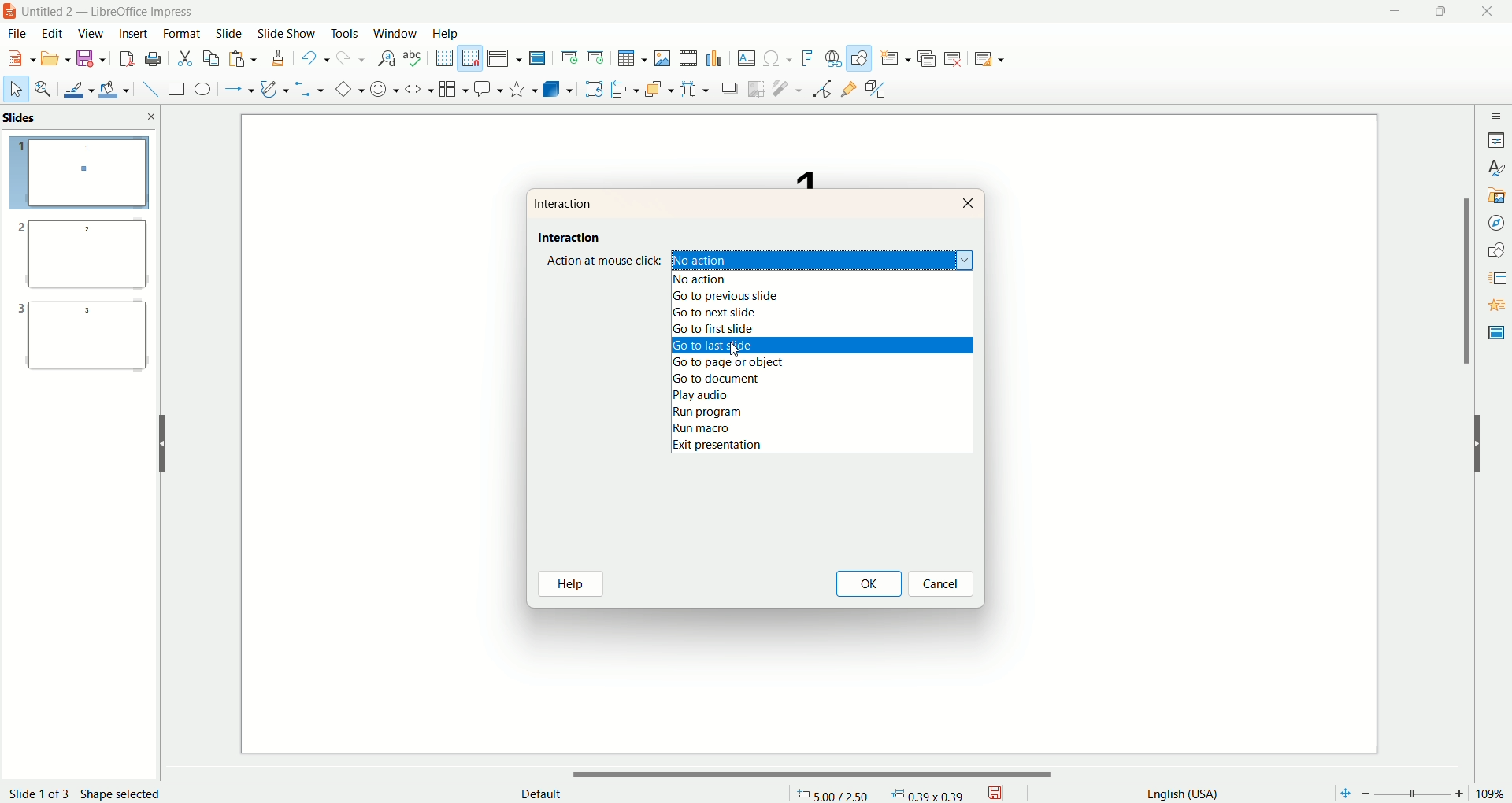 This screenshot has width=1512, height=803. I want to click on filter, so click(787, 89).